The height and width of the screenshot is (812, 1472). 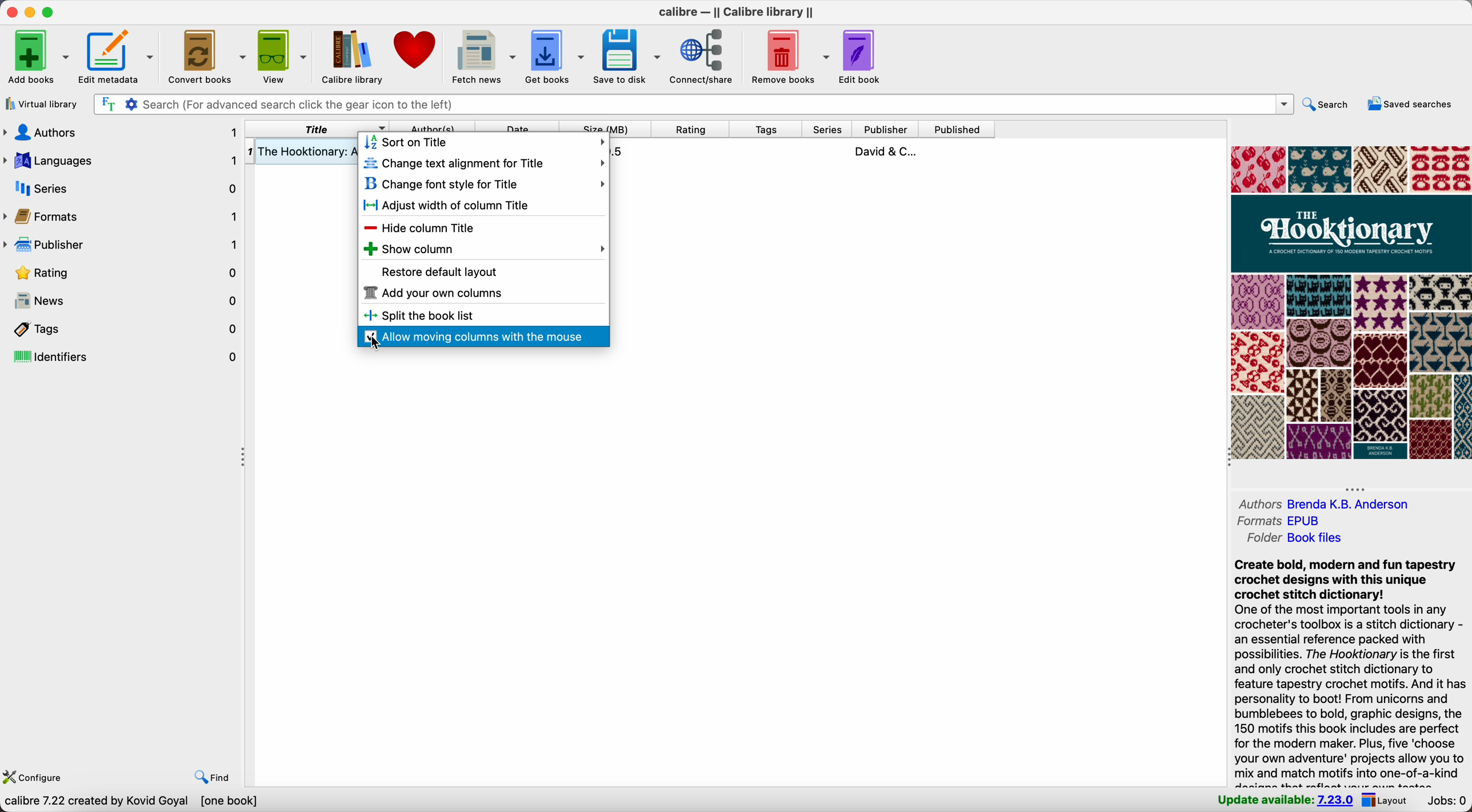 I want to click on change font style for title, so click(x=486, y=184).